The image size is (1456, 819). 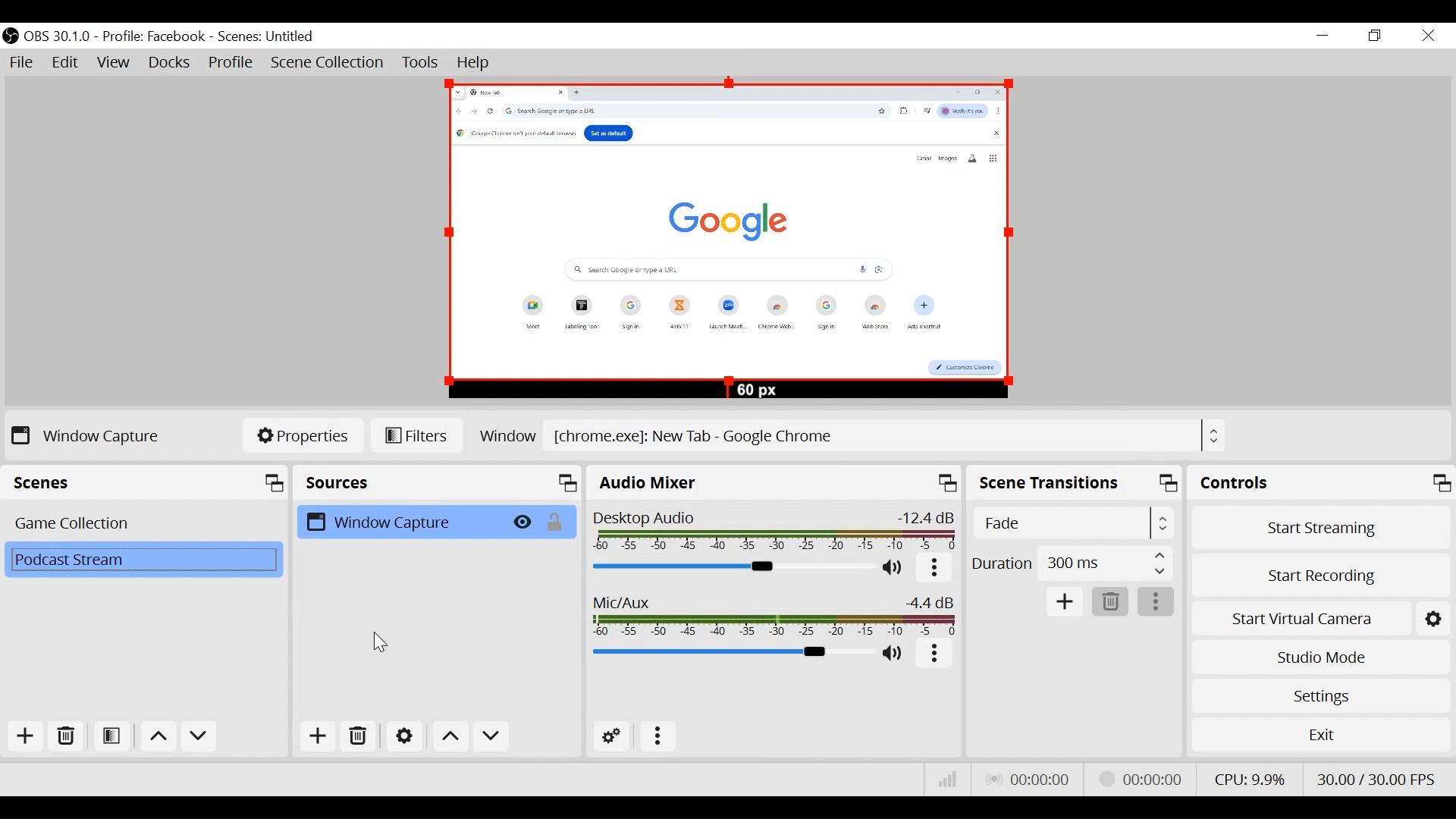 I want to click on Select Duration, so click(x=1072, y=563).